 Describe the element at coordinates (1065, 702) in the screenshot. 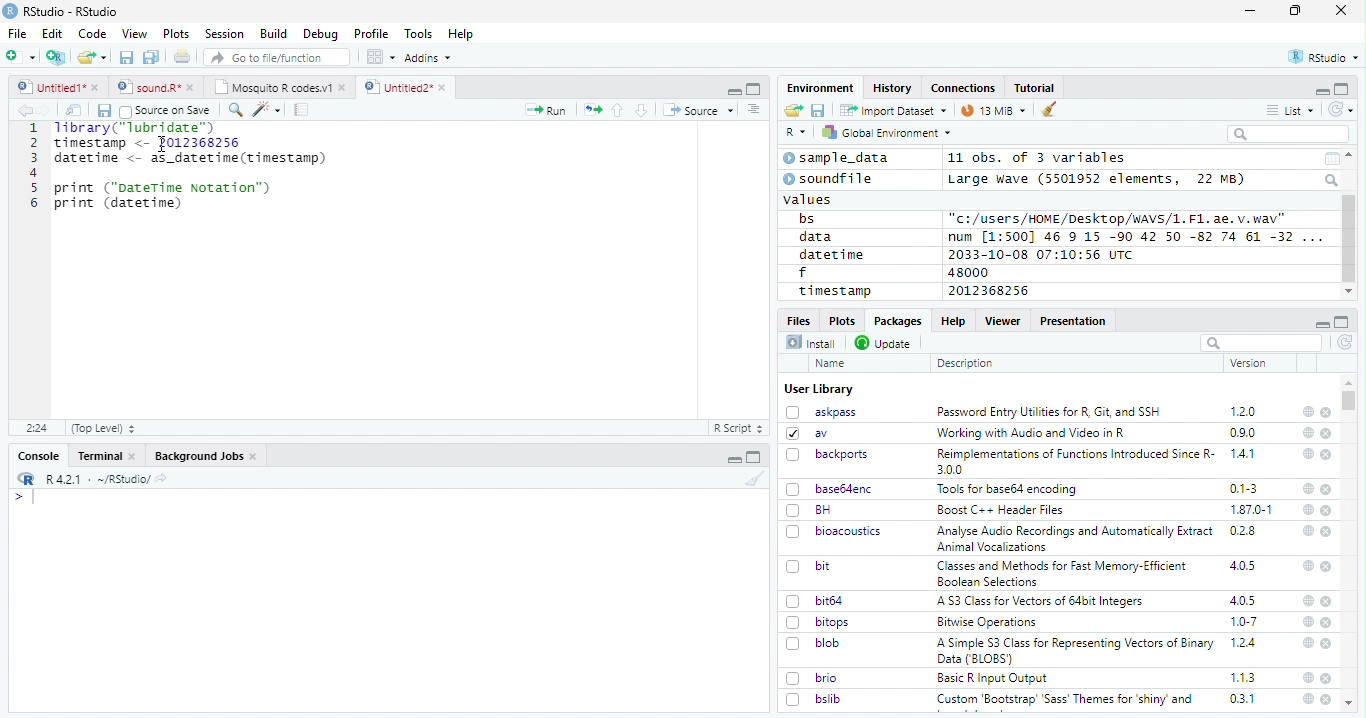

I see `Custom ‘Bootstrap’ ‘Sass’ Themes for ‘shiny’ and` at that location.